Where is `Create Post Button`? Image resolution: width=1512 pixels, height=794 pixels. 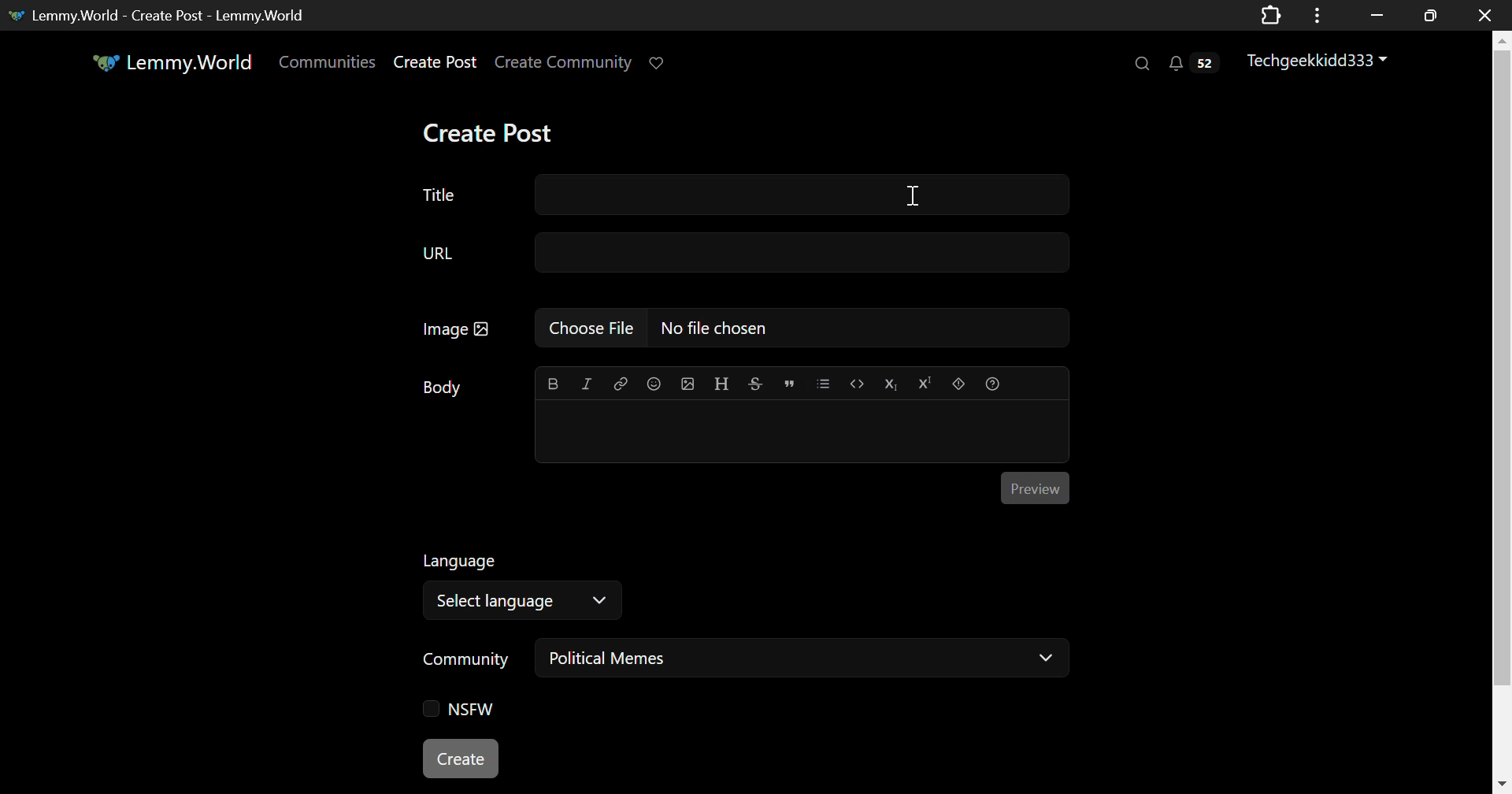 Create Post Button is located at coordinates (462, 759).